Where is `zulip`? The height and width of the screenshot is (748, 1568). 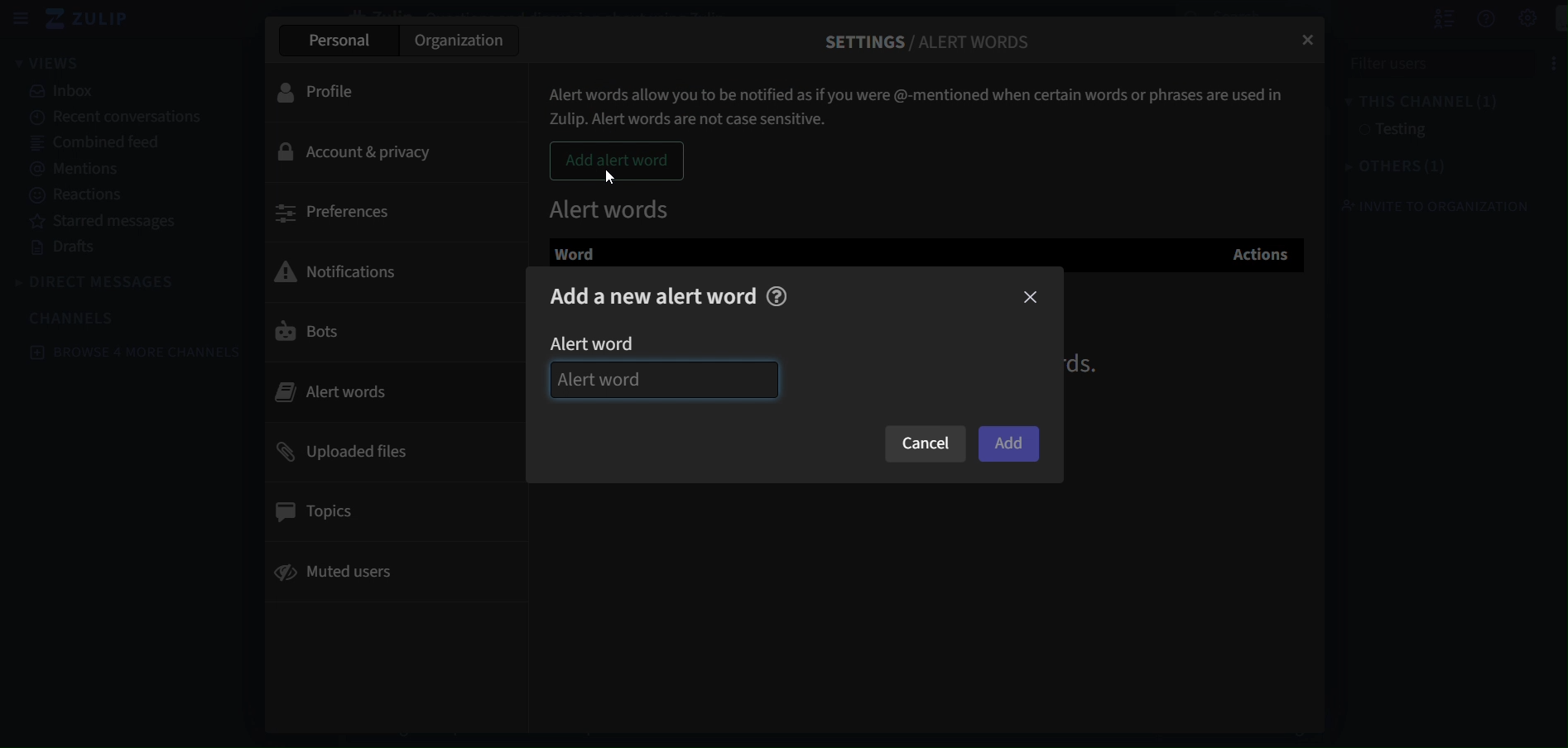 zulip is located at coordinates (95, 20).